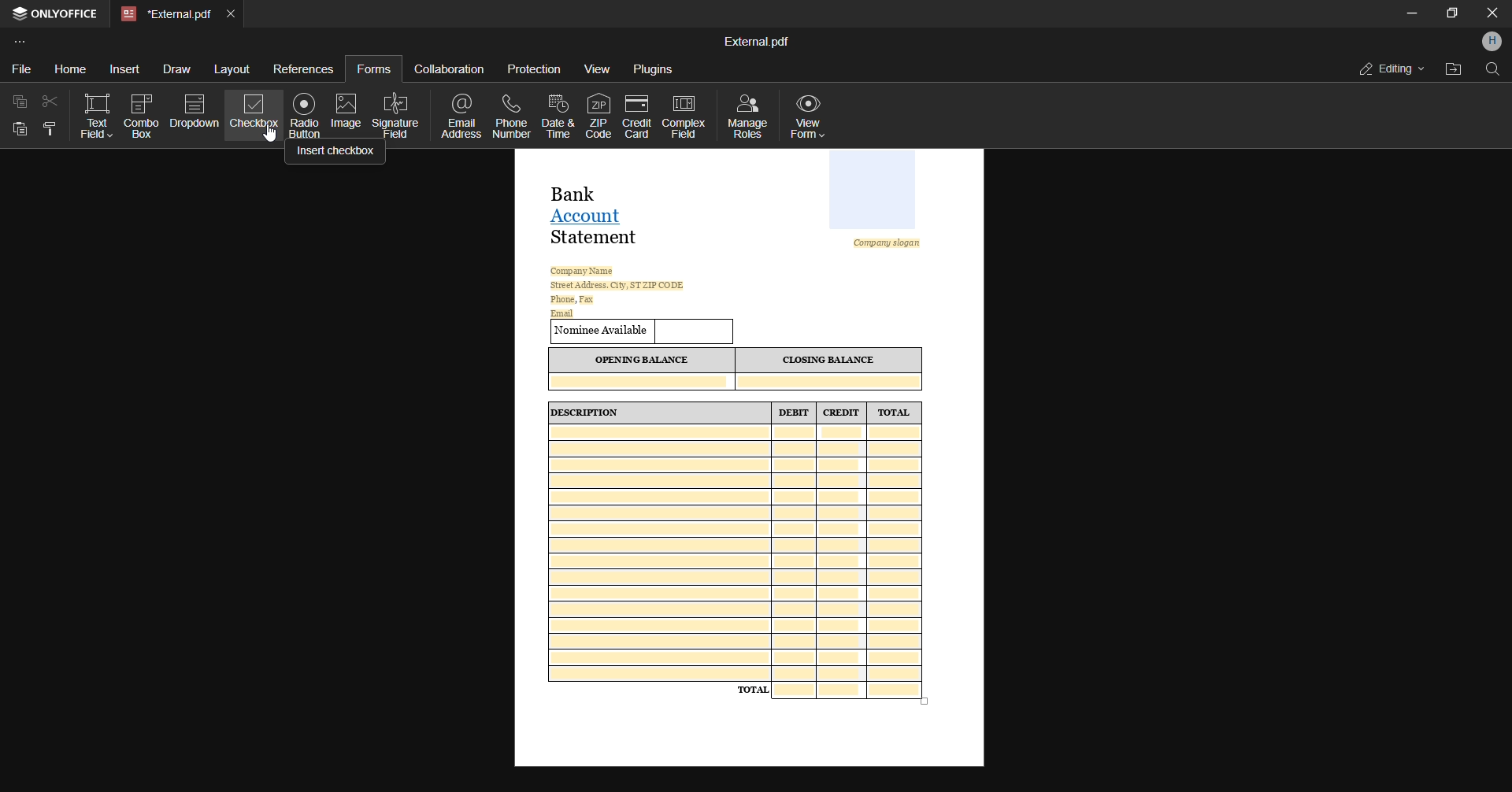 The width and height of the screenshot is (1512, 792). What do you see at coordinates (195, 114) in the screenshot?
I see `dropdown` at bounding box center [195, 114].